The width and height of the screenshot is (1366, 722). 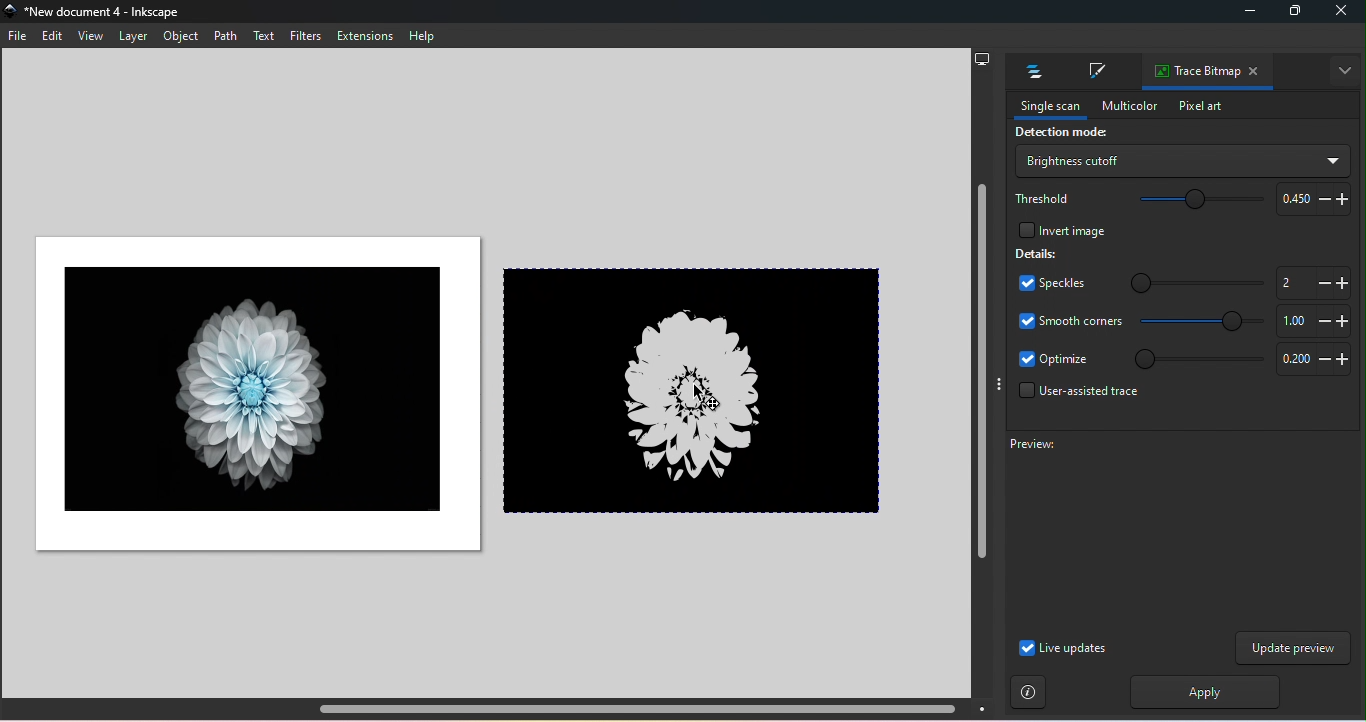 What do you see at coordinates (1310, 198) in the screenshot?
I see `Increase or decrease threshold` at bounding box center [1310, 198].